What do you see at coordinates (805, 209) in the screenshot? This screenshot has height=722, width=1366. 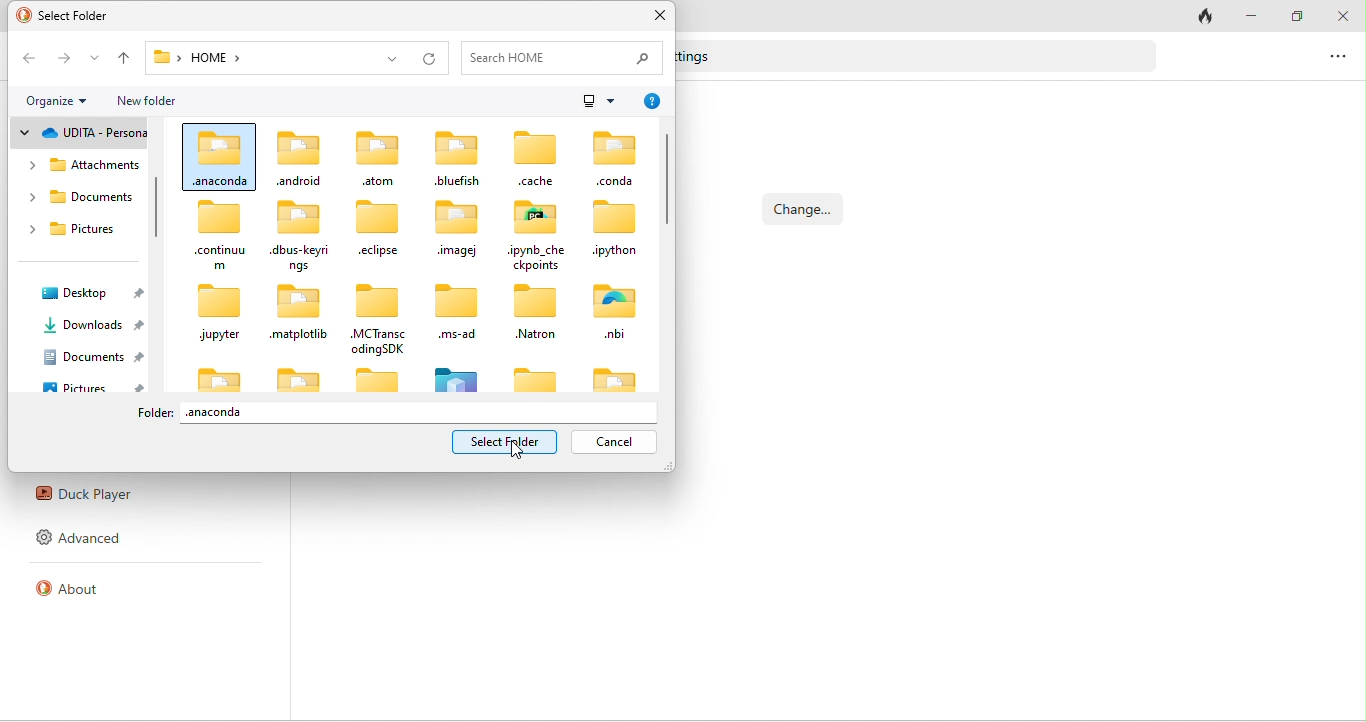 I see `change` at bounding box center [805, 209].